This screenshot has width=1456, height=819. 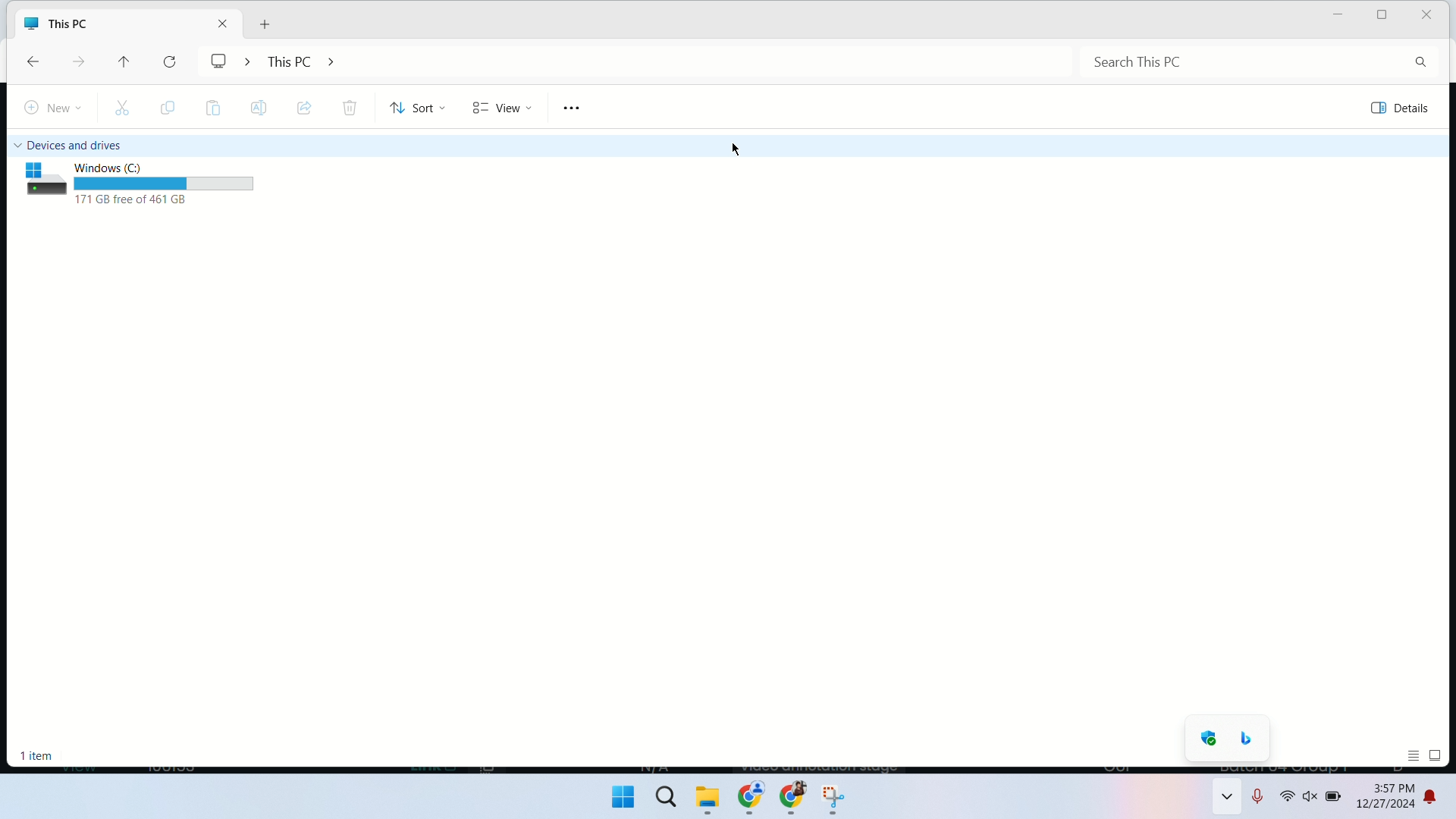 What do you see at coordinates (222, 24) in the screenshot?
I see `close tab` at bounding box center [222, 24].